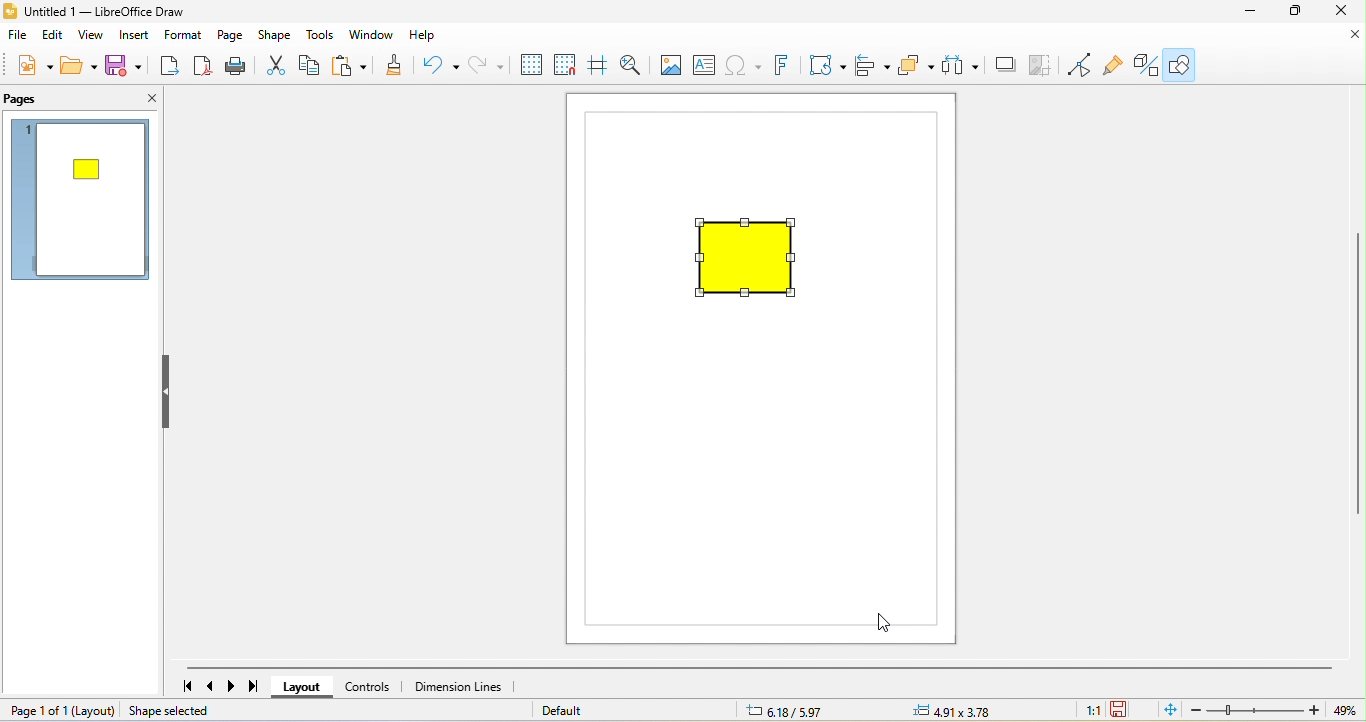 This screenshot has width=1366, height=722. Describe the element at coordinates (1183, 63) in the screenshot. I see `show draw function` at that location.